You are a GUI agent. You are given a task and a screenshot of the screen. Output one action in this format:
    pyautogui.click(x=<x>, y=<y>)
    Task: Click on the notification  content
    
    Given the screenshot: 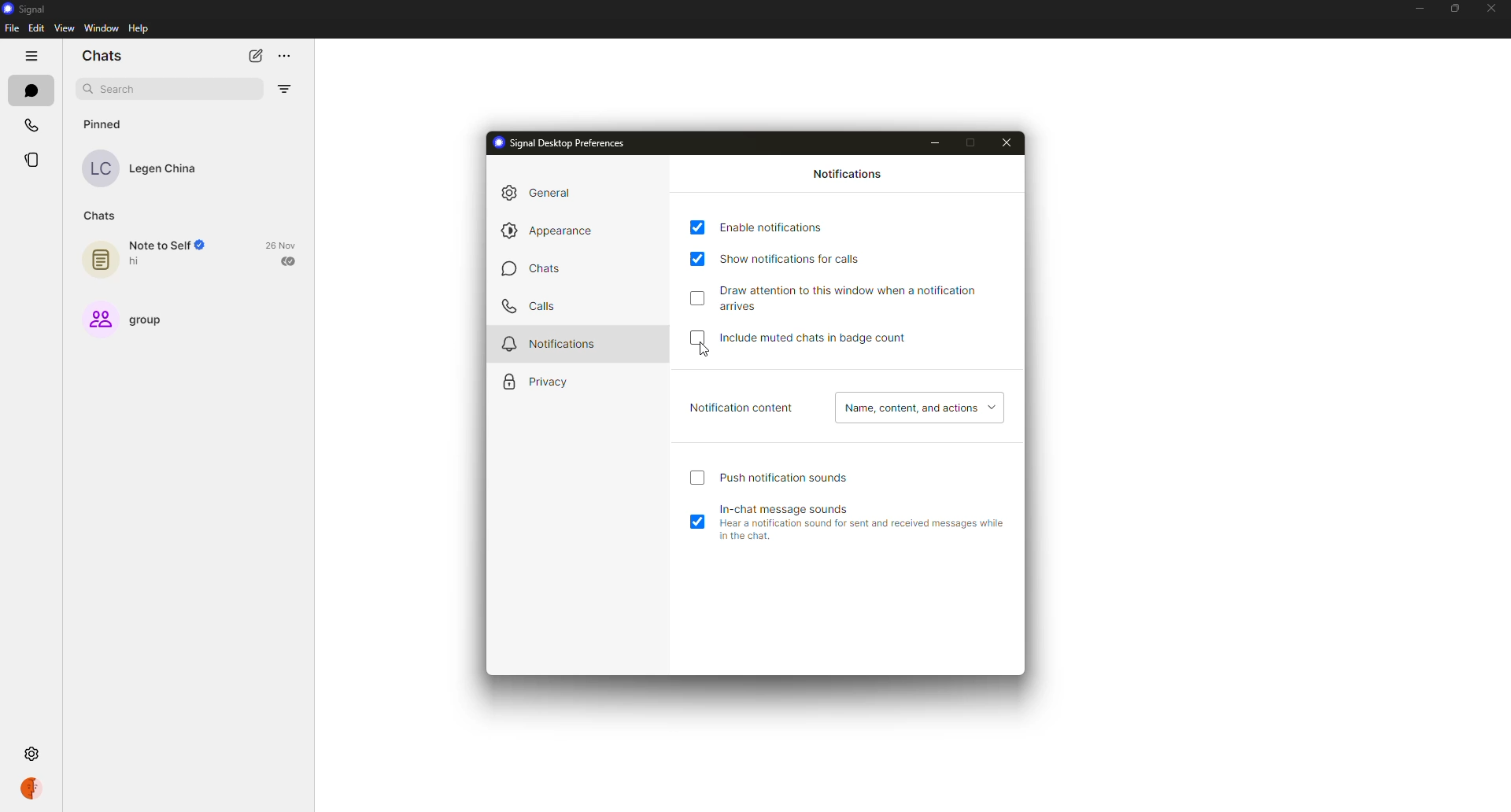 What is the action you would take?
    pyautogui.click(x=737, y=405)
    